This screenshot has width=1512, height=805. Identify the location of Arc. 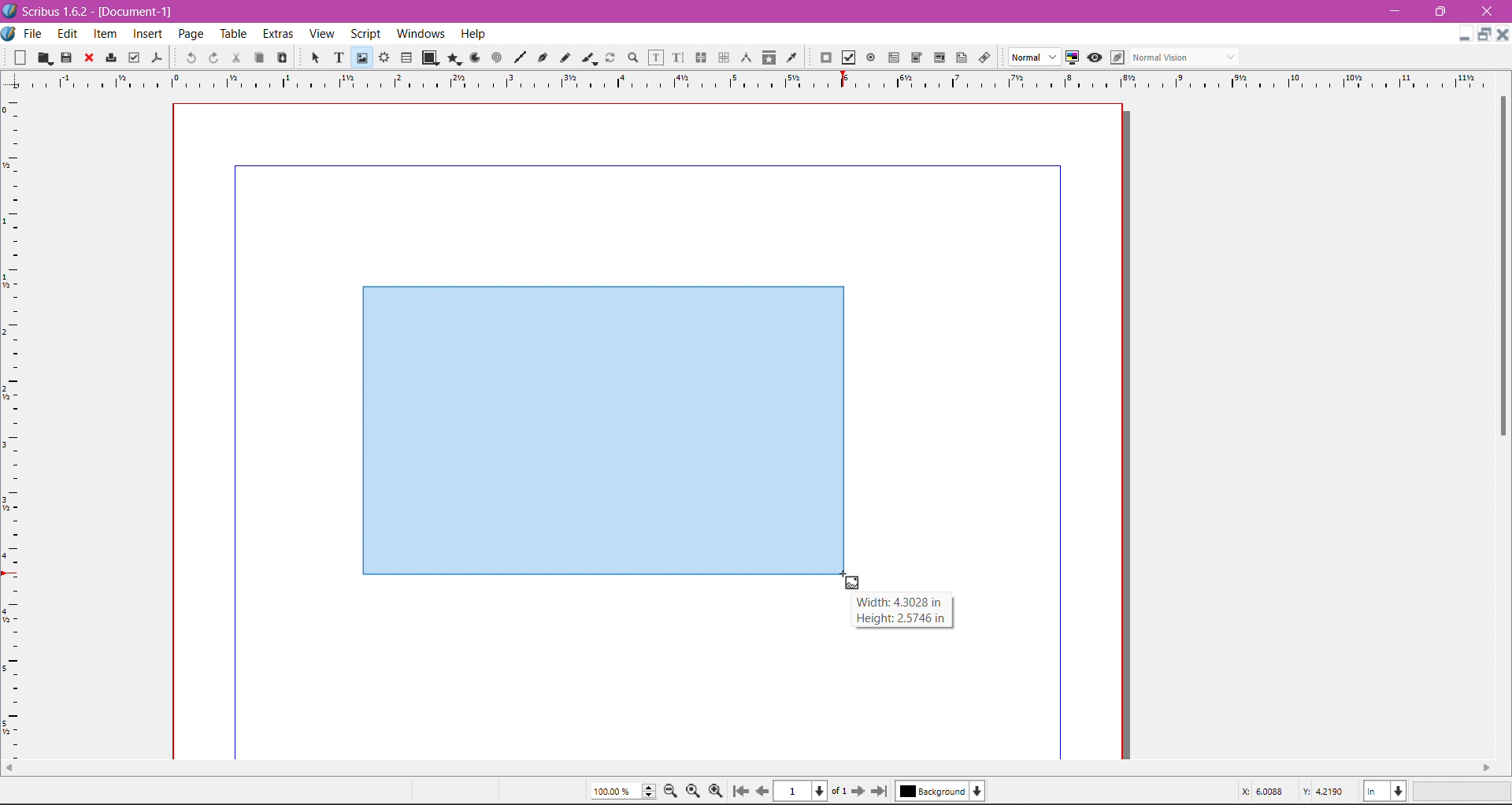
(473, 57).